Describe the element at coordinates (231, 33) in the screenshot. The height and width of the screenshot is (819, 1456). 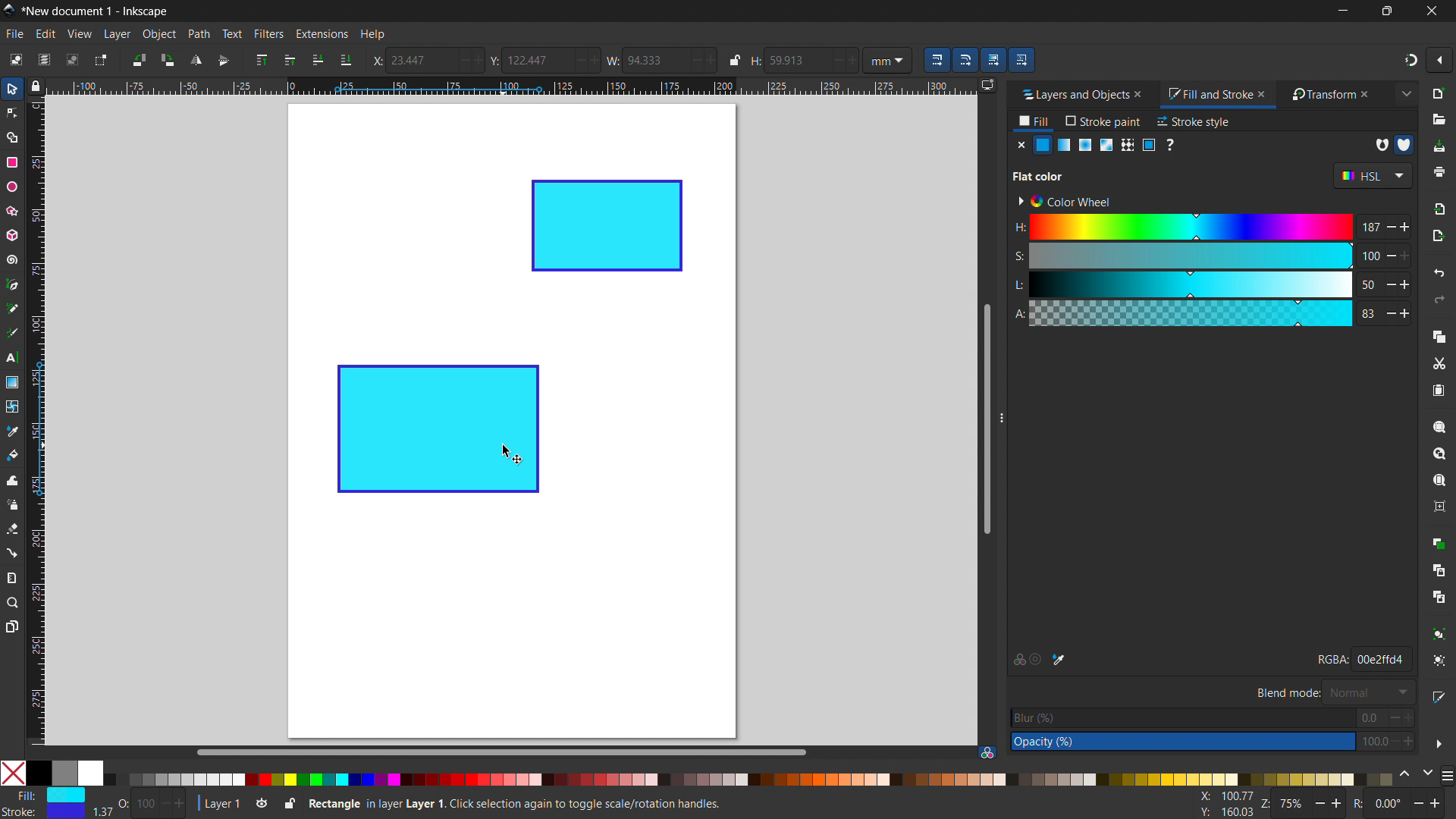
I see `text` at that location.